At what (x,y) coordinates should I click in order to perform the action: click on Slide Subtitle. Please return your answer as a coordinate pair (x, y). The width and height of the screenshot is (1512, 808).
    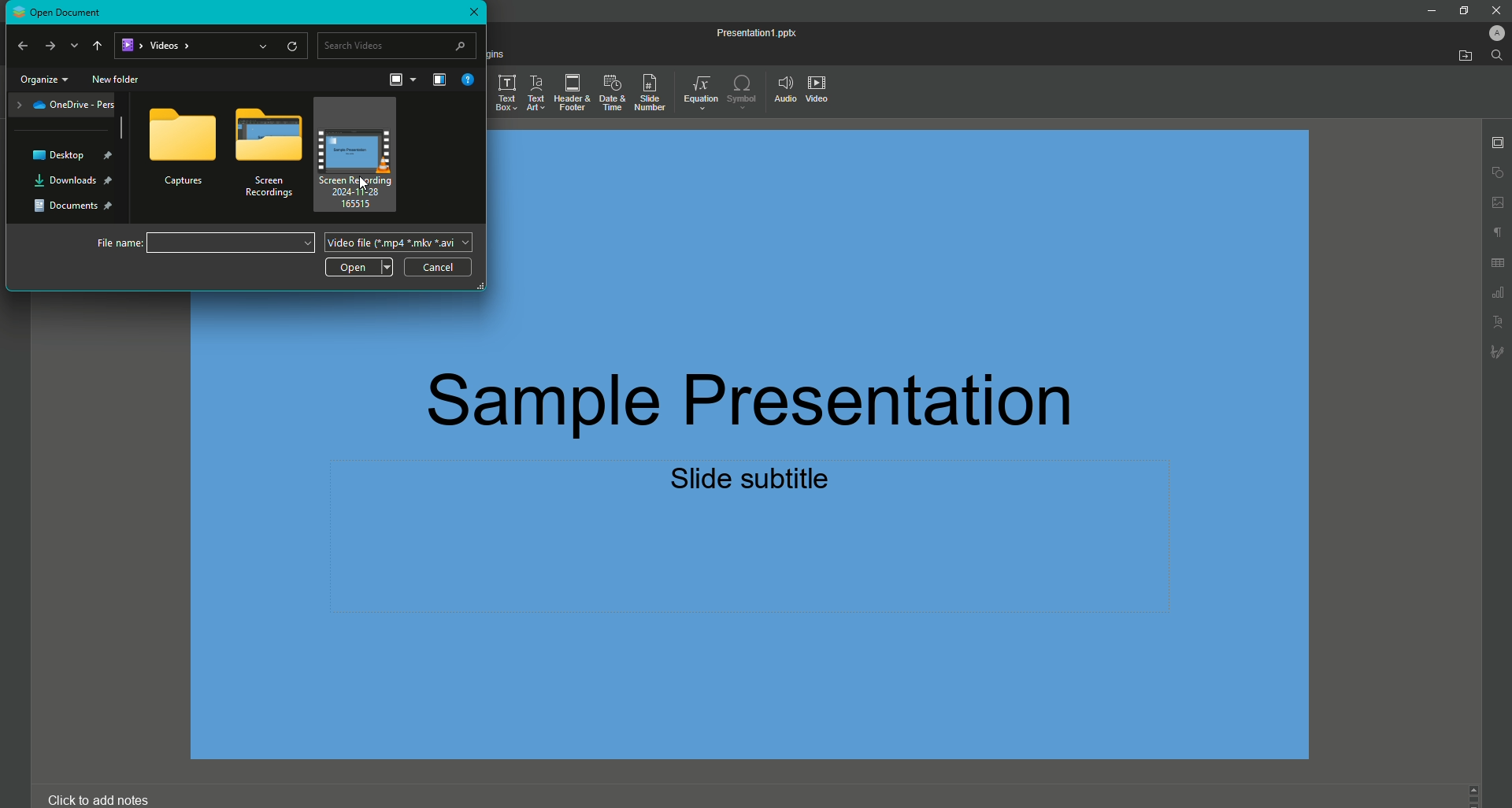
    Looking at the image, I should click on (754, 482).